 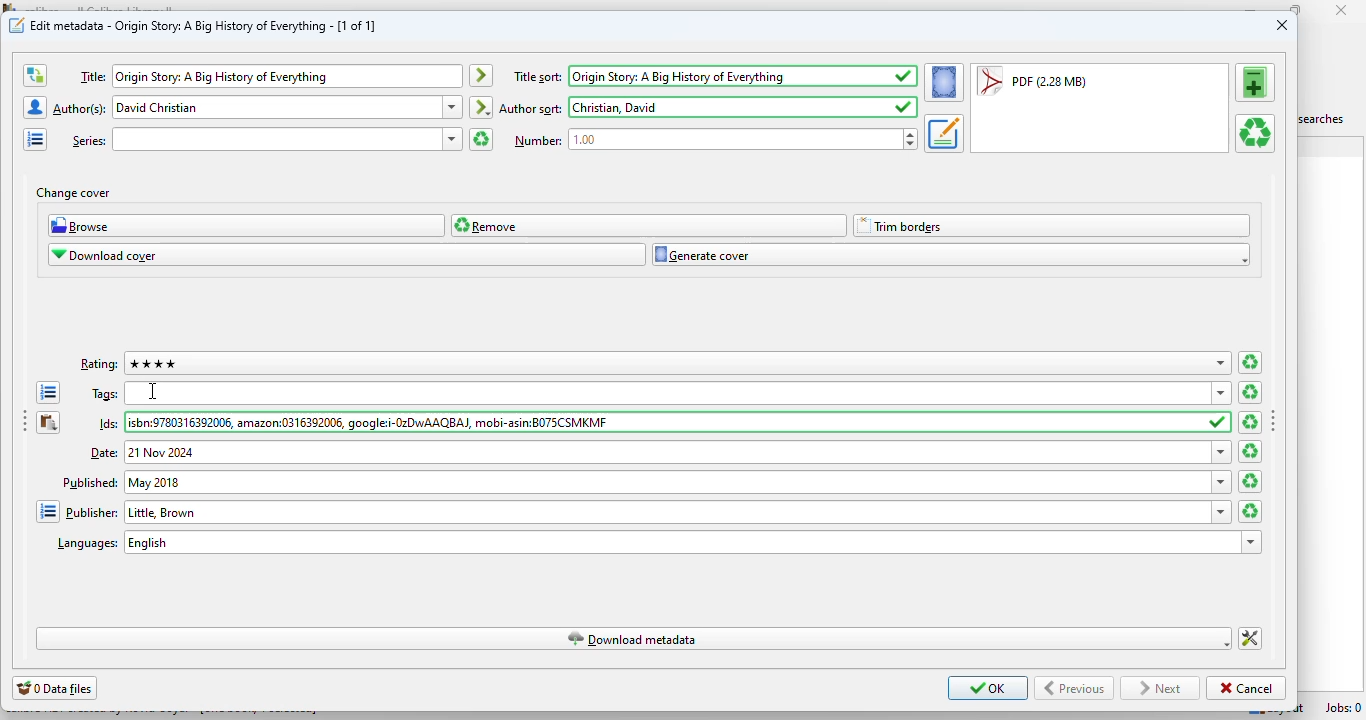 What do you see at coordinates (100, 365) in the screenshot?
I see `text` at bounding box center [100, 365].